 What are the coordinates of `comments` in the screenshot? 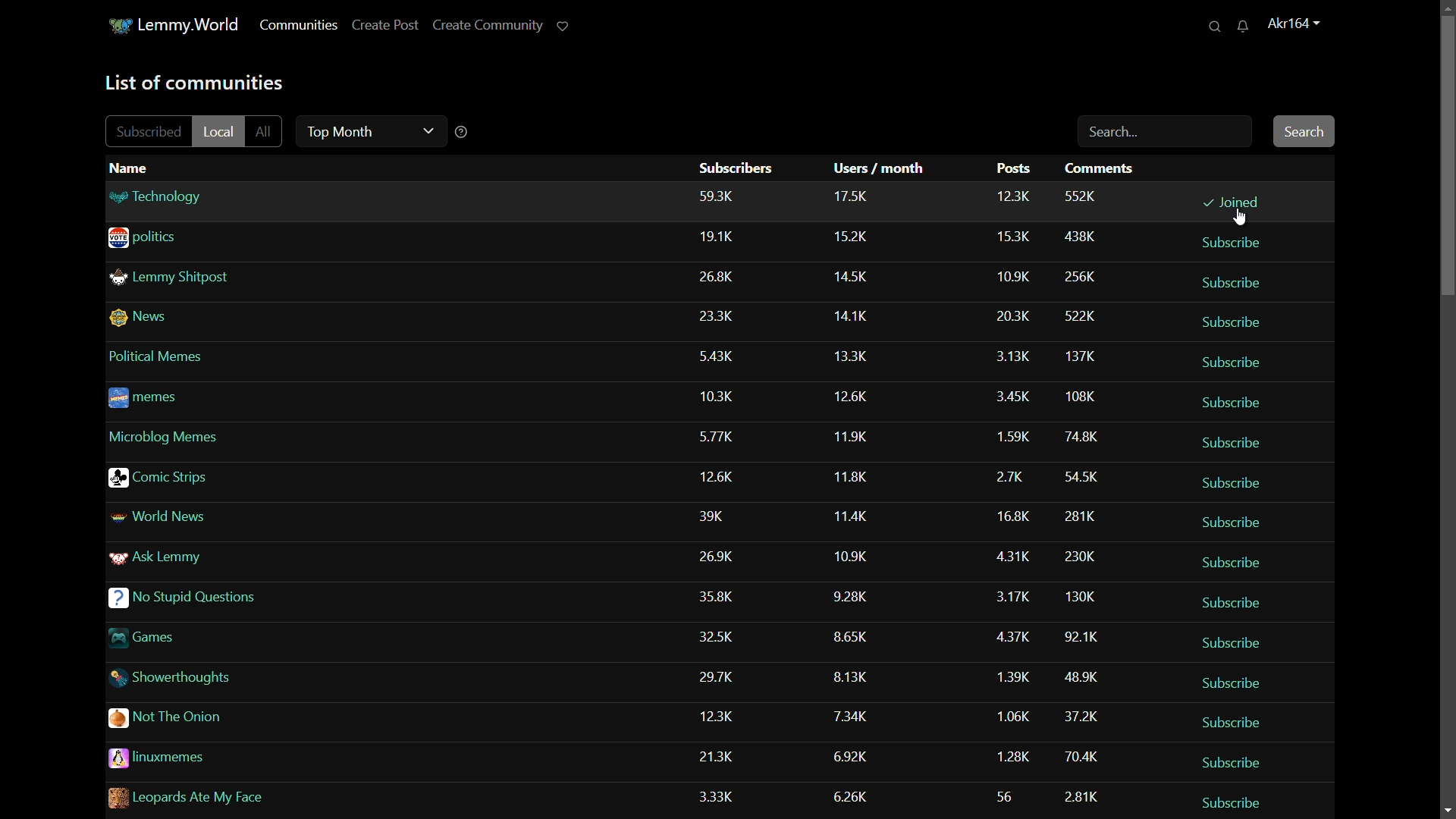 It's located at (1078, 716).